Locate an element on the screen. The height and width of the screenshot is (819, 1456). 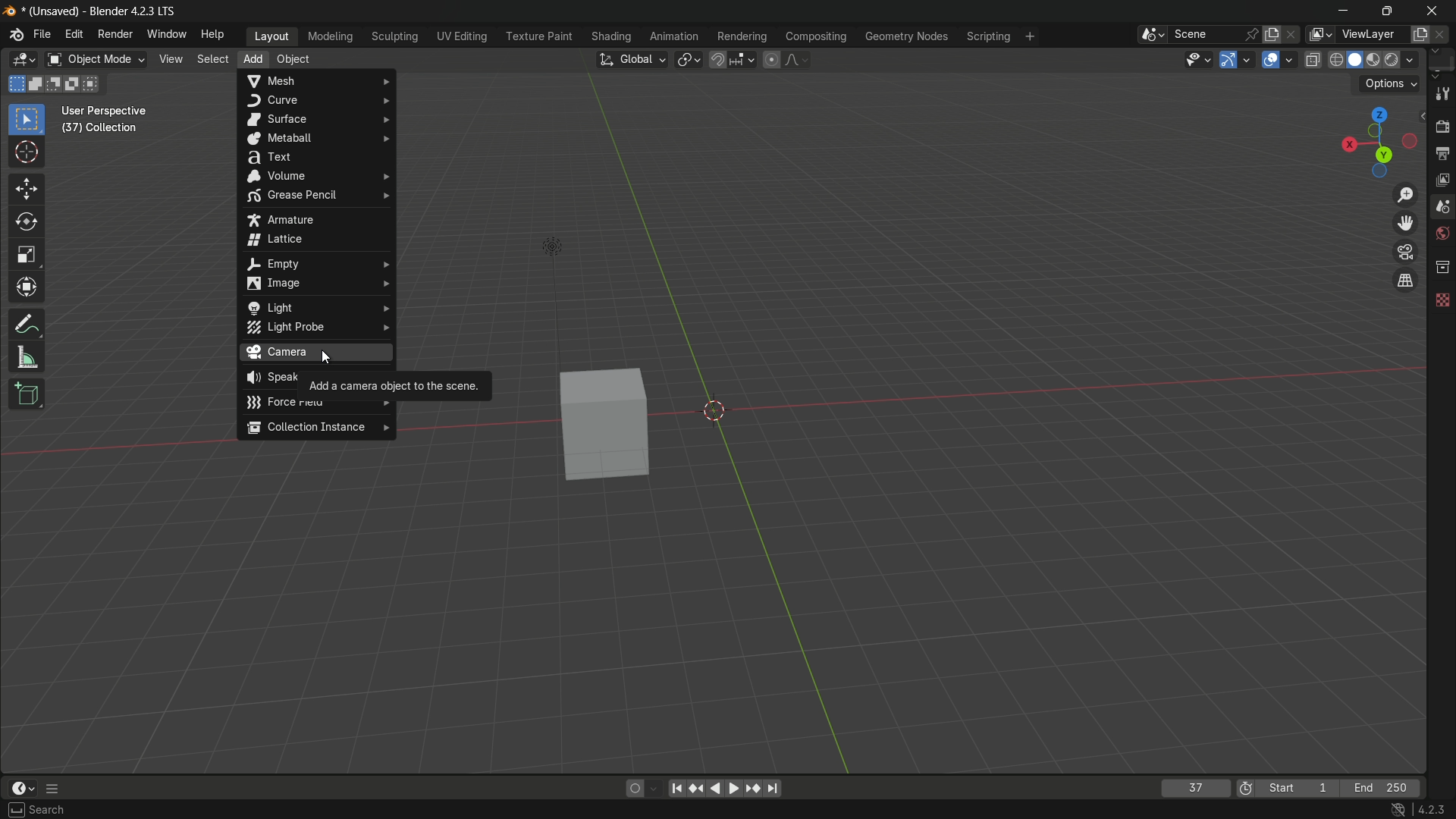
cube is located at coordinates (598, 427).